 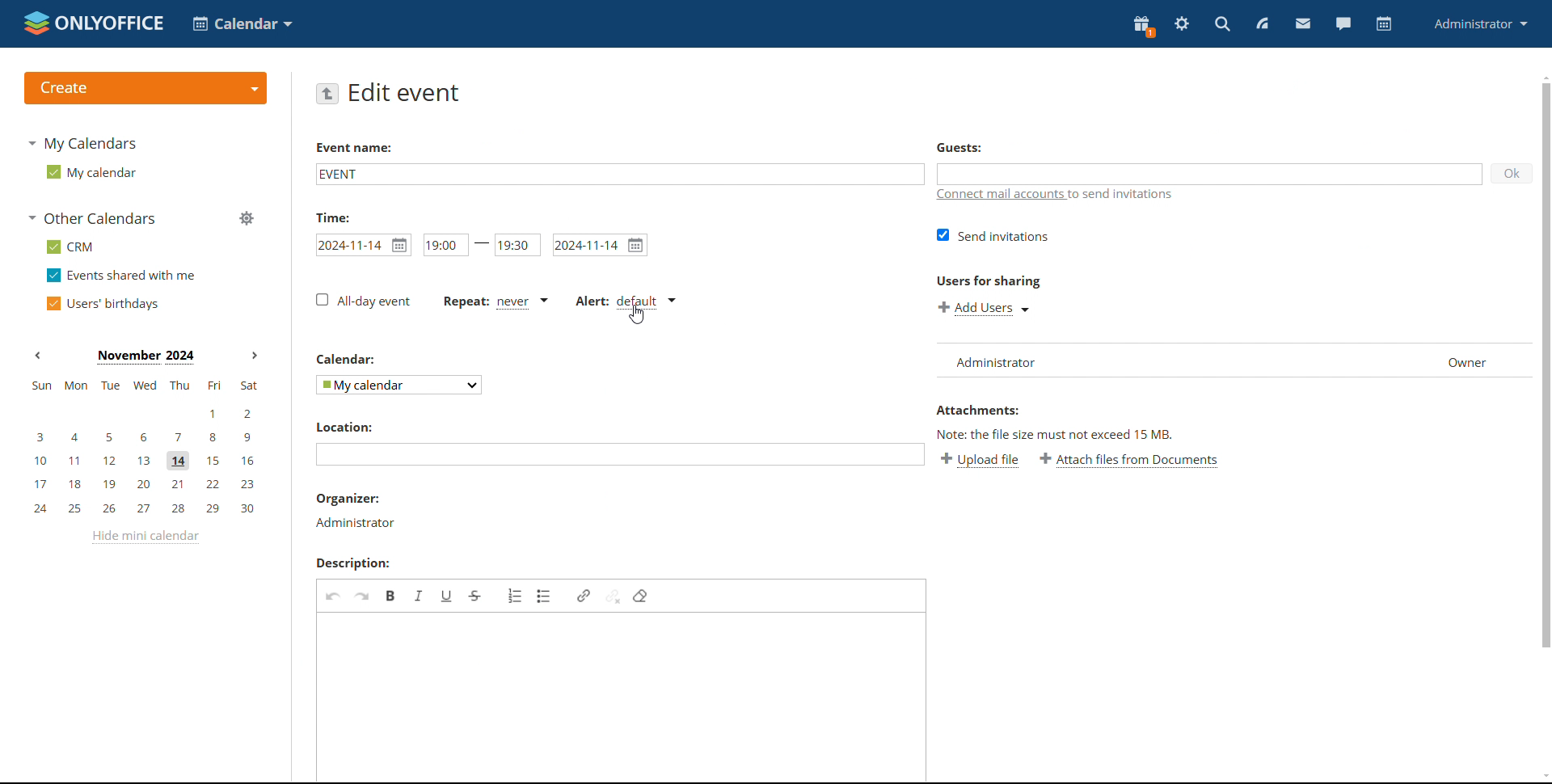 What do you see at coordinates (1513, 175) in the screenshot?
I see `ok` at bounding box center [1513, 175].